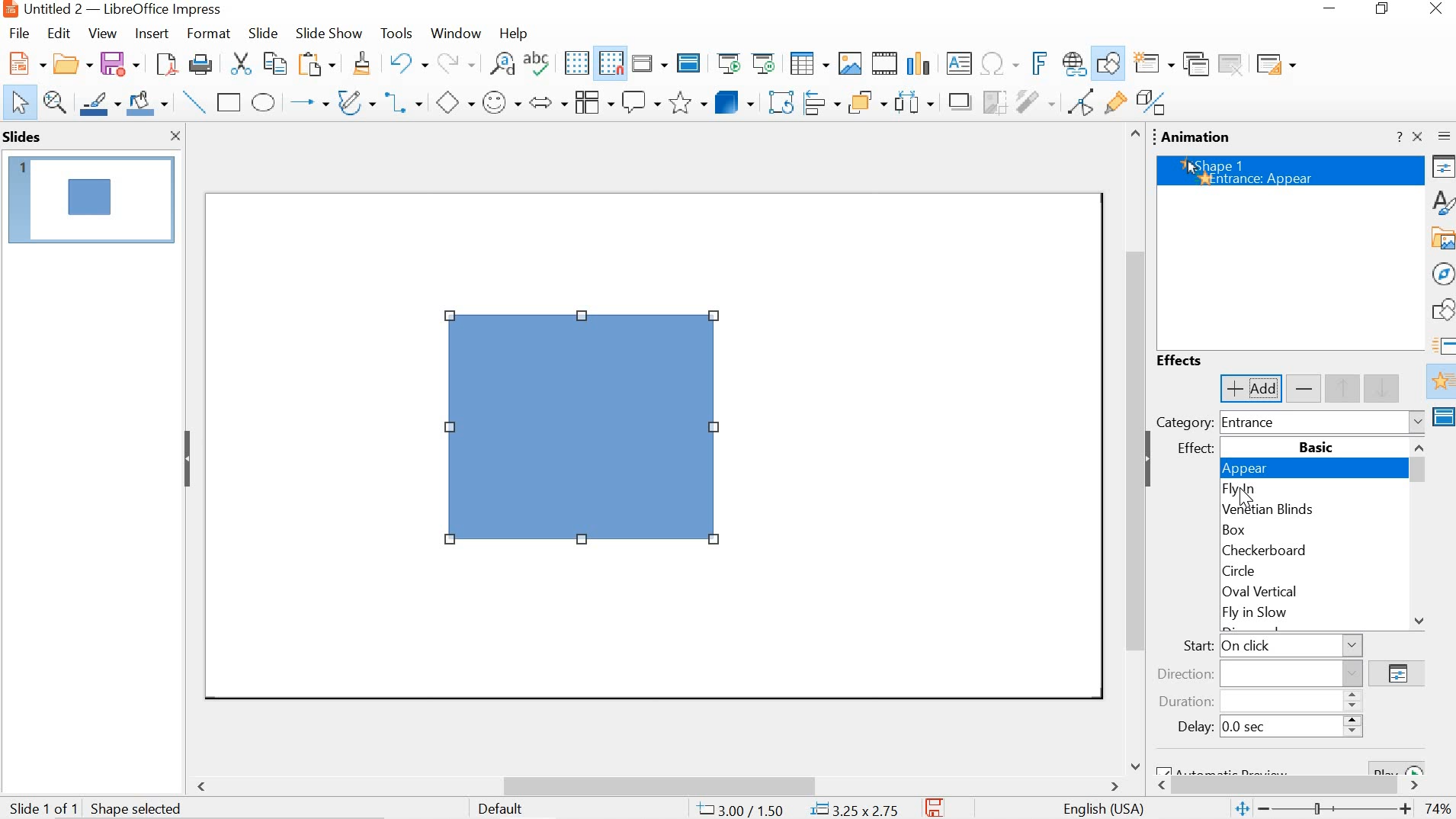 The width and height of the screenshot is (1456, 819). What do you see at coordinates (318, 64) in the screenshot?
I see `paste` at bounding box center [318, 64].